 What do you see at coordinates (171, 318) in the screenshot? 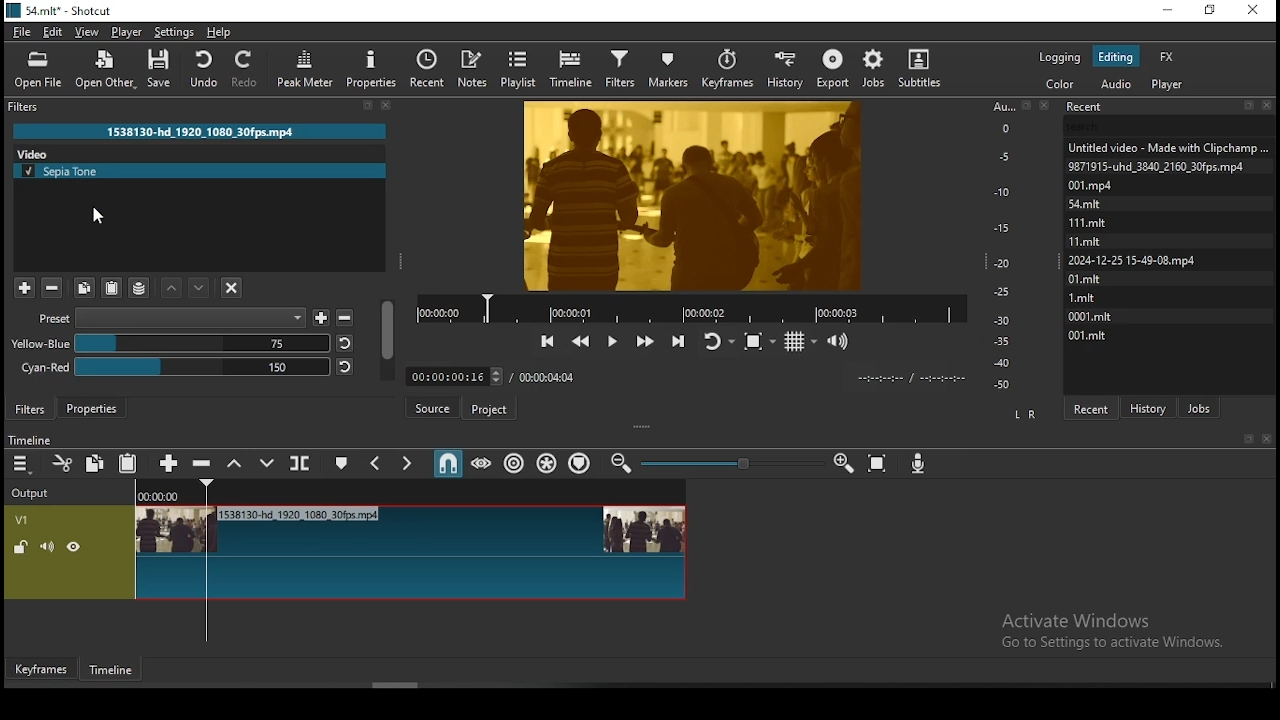
I see `presets` at bounding box center [171, 318].